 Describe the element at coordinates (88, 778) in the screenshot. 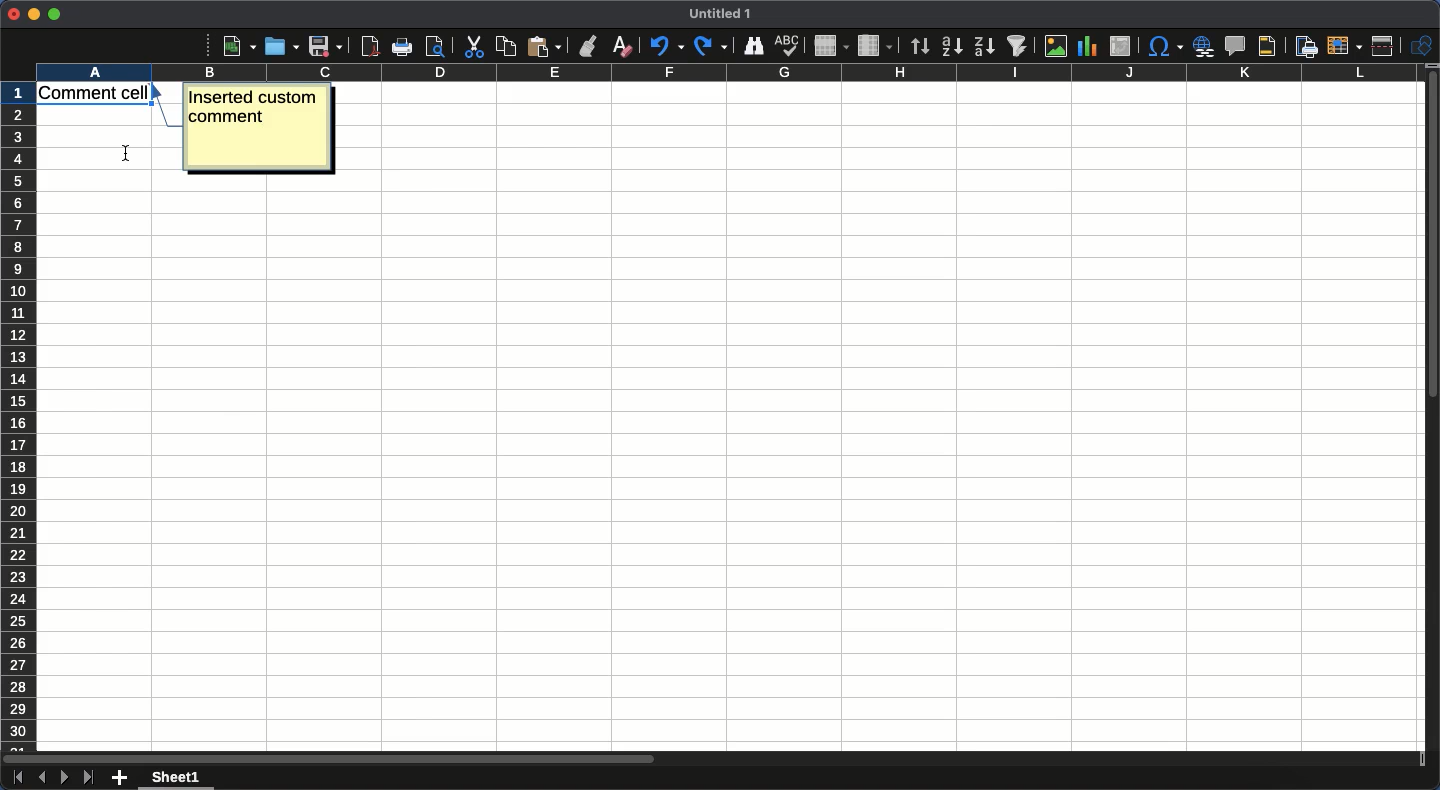

I see `Last sheet` at that location.